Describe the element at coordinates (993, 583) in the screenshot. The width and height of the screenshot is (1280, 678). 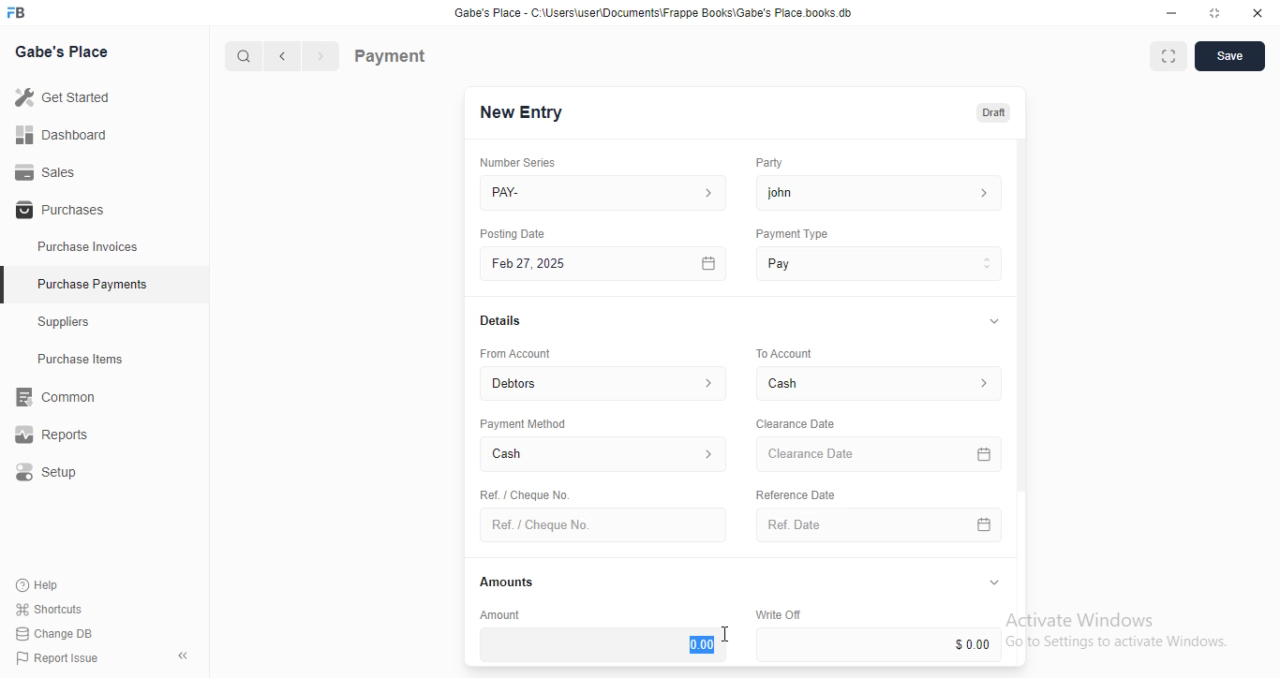
I see `expand/collapse` at that location.